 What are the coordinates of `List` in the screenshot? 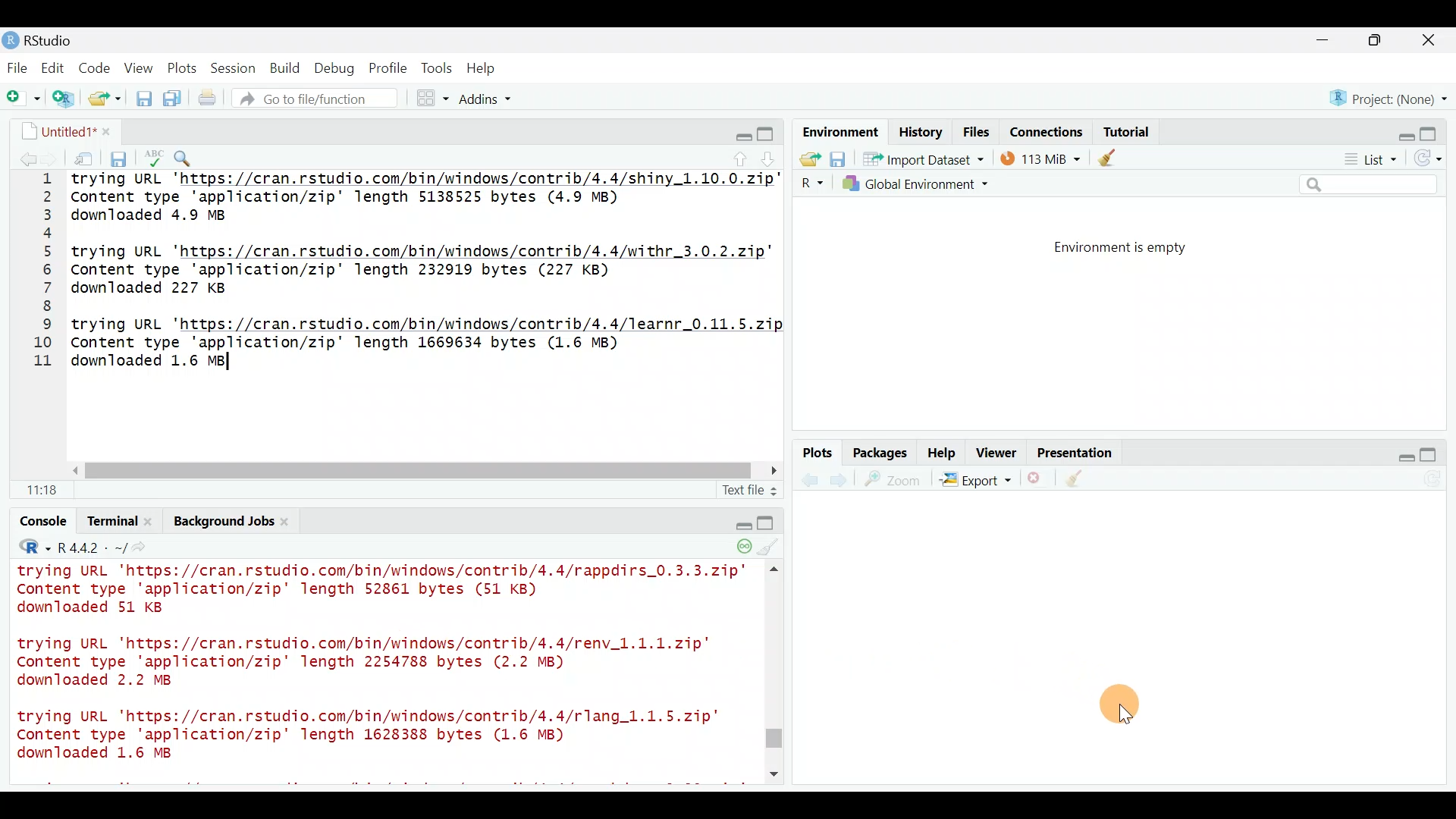 It's located at (1369, 160).